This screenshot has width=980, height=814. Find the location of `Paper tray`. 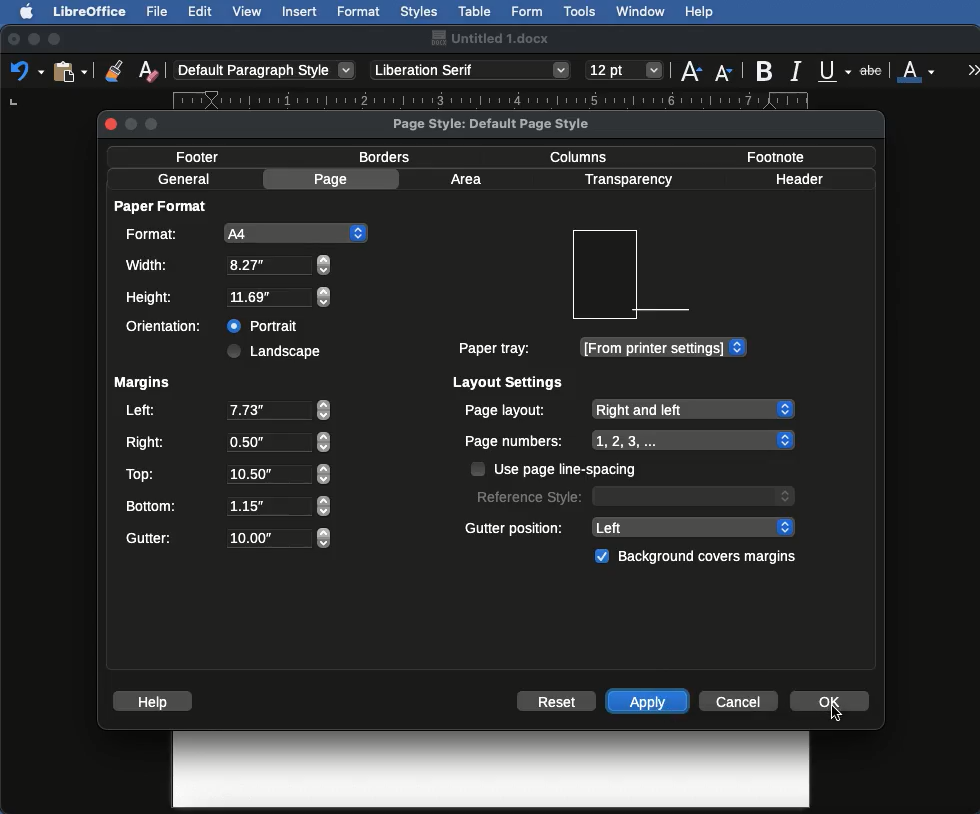

Paper tray is located at coordinates (601, 348).